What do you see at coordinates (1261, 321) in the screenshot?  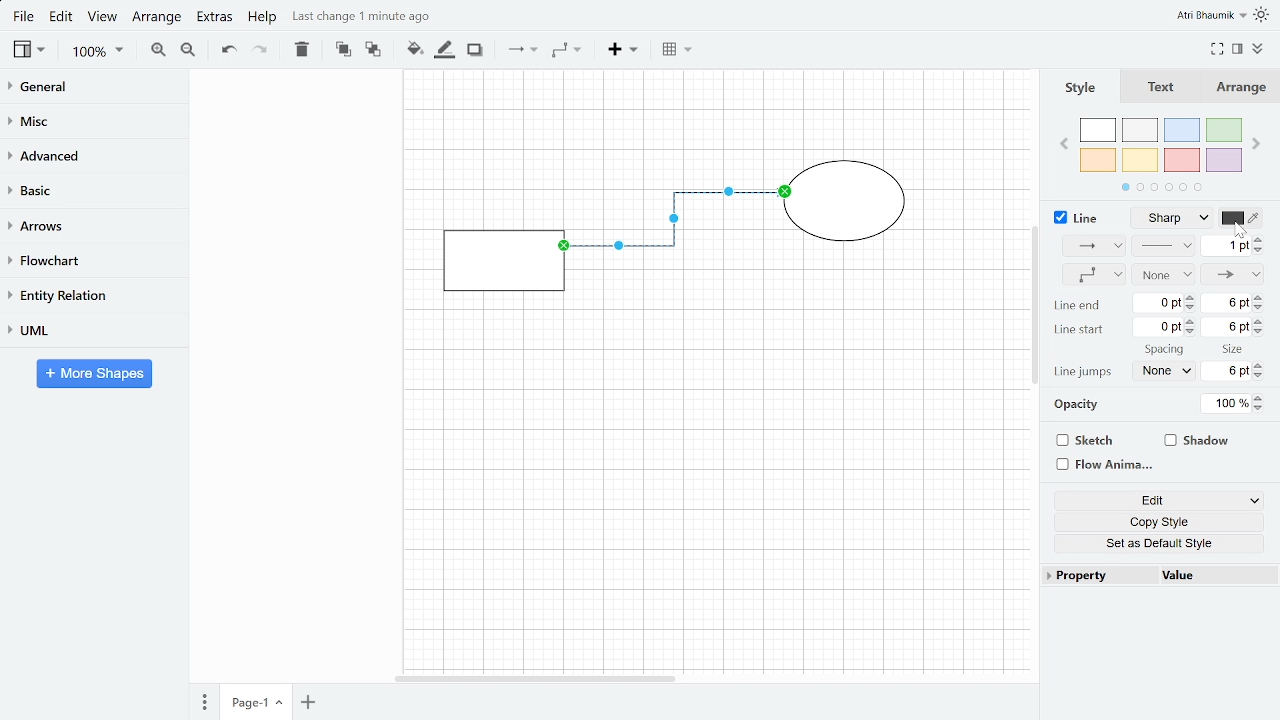 I see `Increase line start size` at bounding box center [1261, 321].